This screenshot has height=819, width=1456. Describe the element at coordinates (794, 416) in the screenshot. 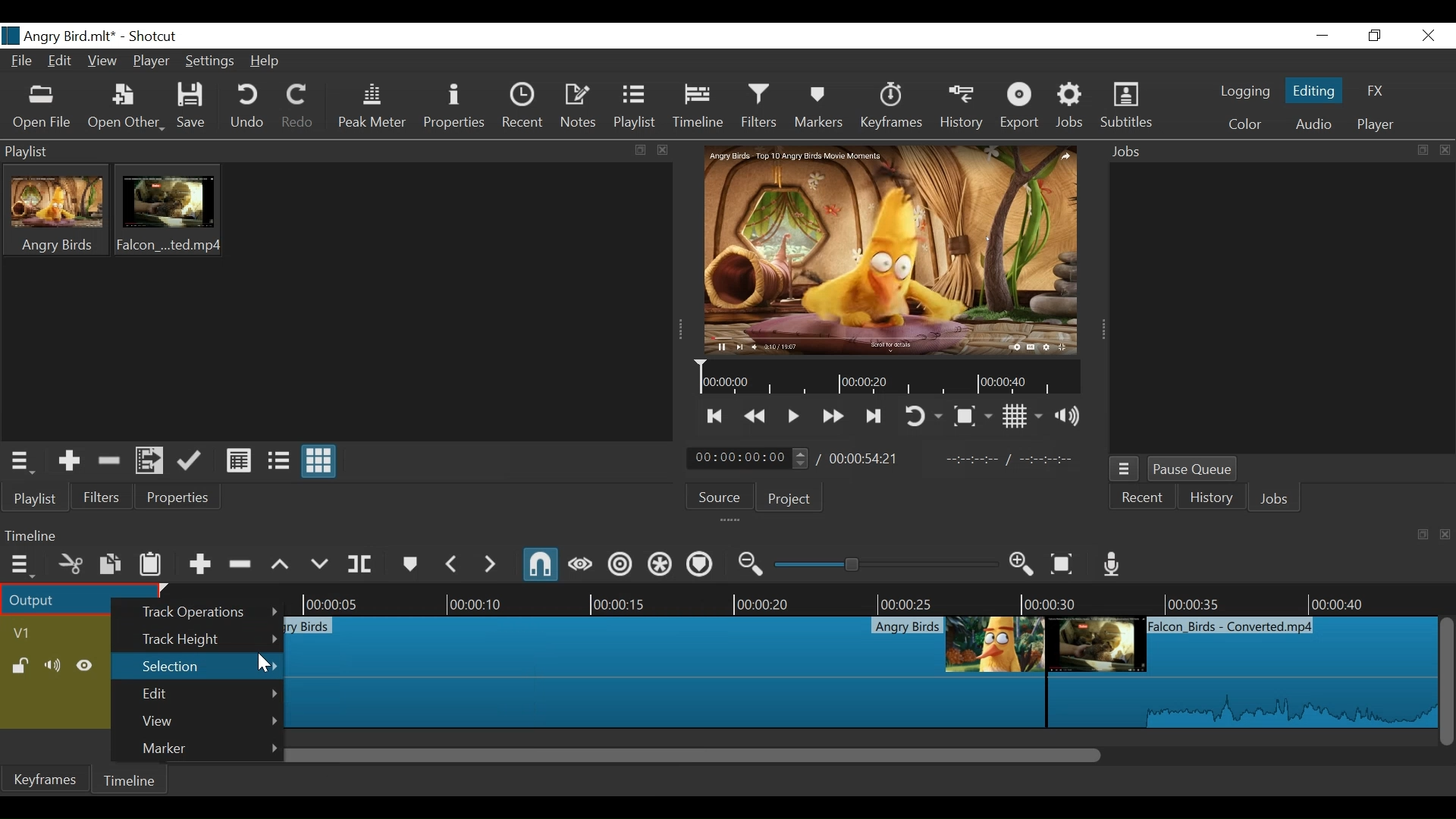

I see `Toggle play or pause` at that location.